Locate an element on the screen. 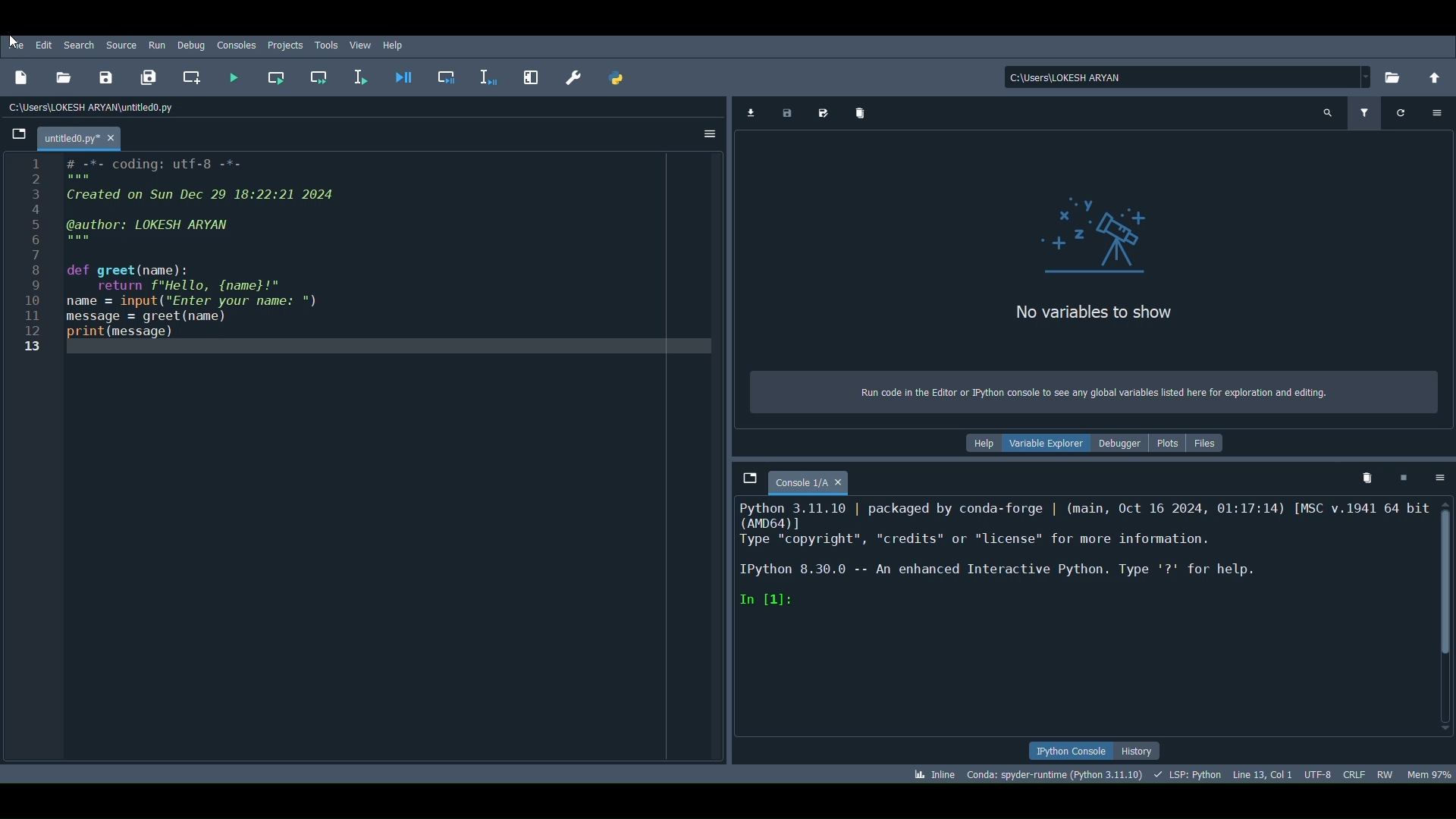 This screenshot has width=1456, height=819. Debug selection or current line is located at coordinates (487, 74).